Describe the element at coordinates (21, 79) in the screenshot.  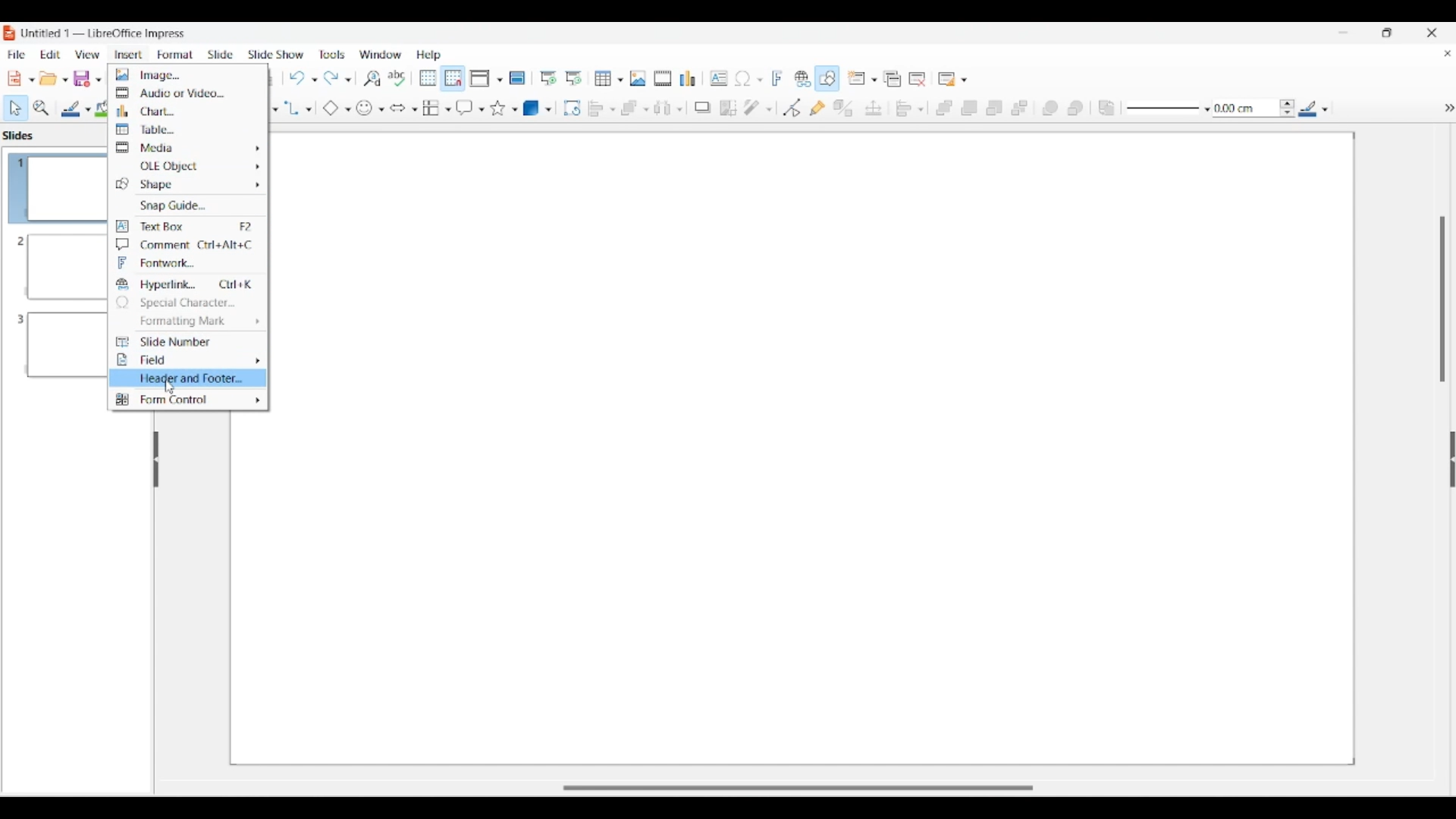
I see `New document options` at that location.